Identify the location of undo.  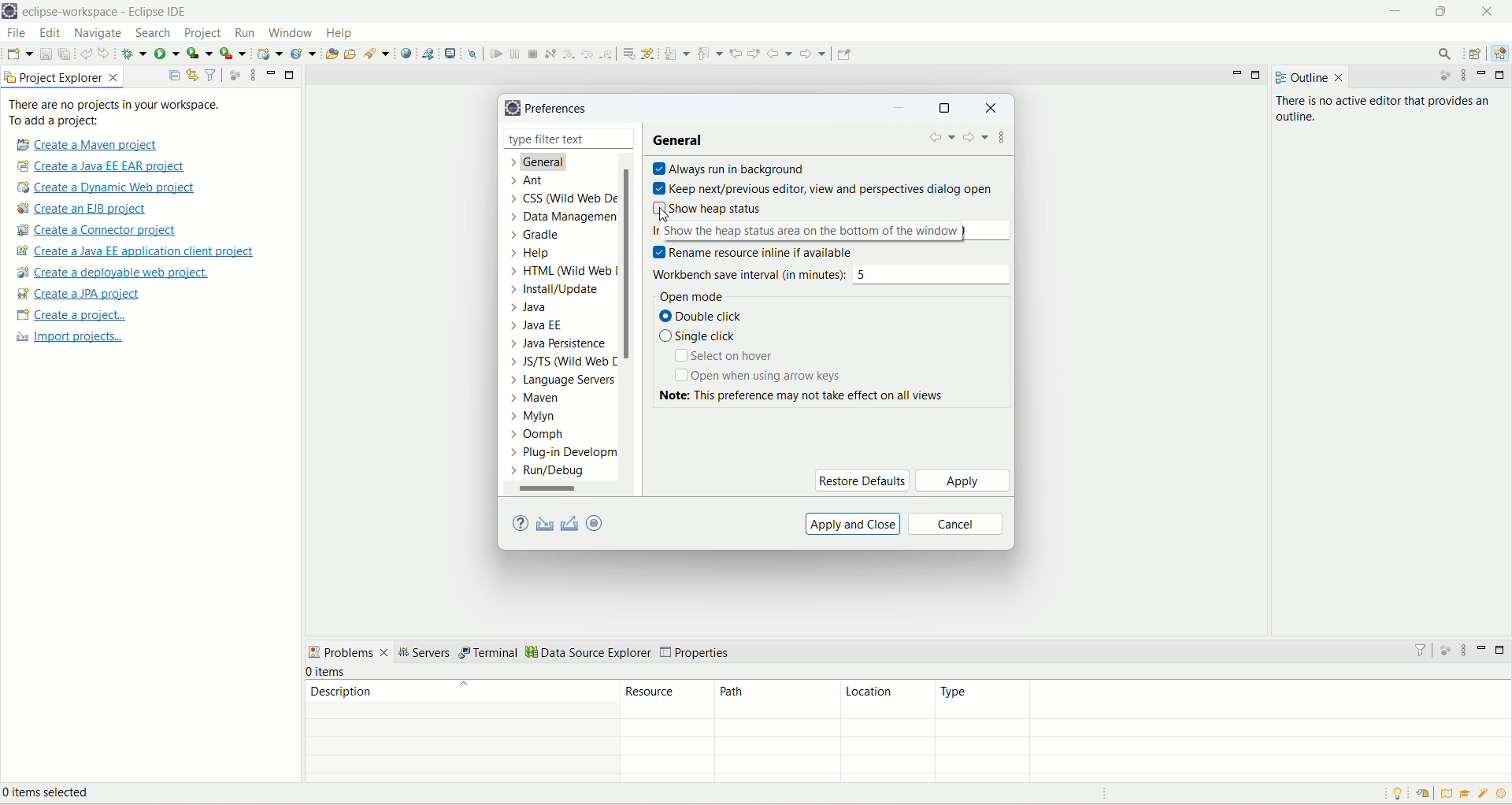
(86, 52).